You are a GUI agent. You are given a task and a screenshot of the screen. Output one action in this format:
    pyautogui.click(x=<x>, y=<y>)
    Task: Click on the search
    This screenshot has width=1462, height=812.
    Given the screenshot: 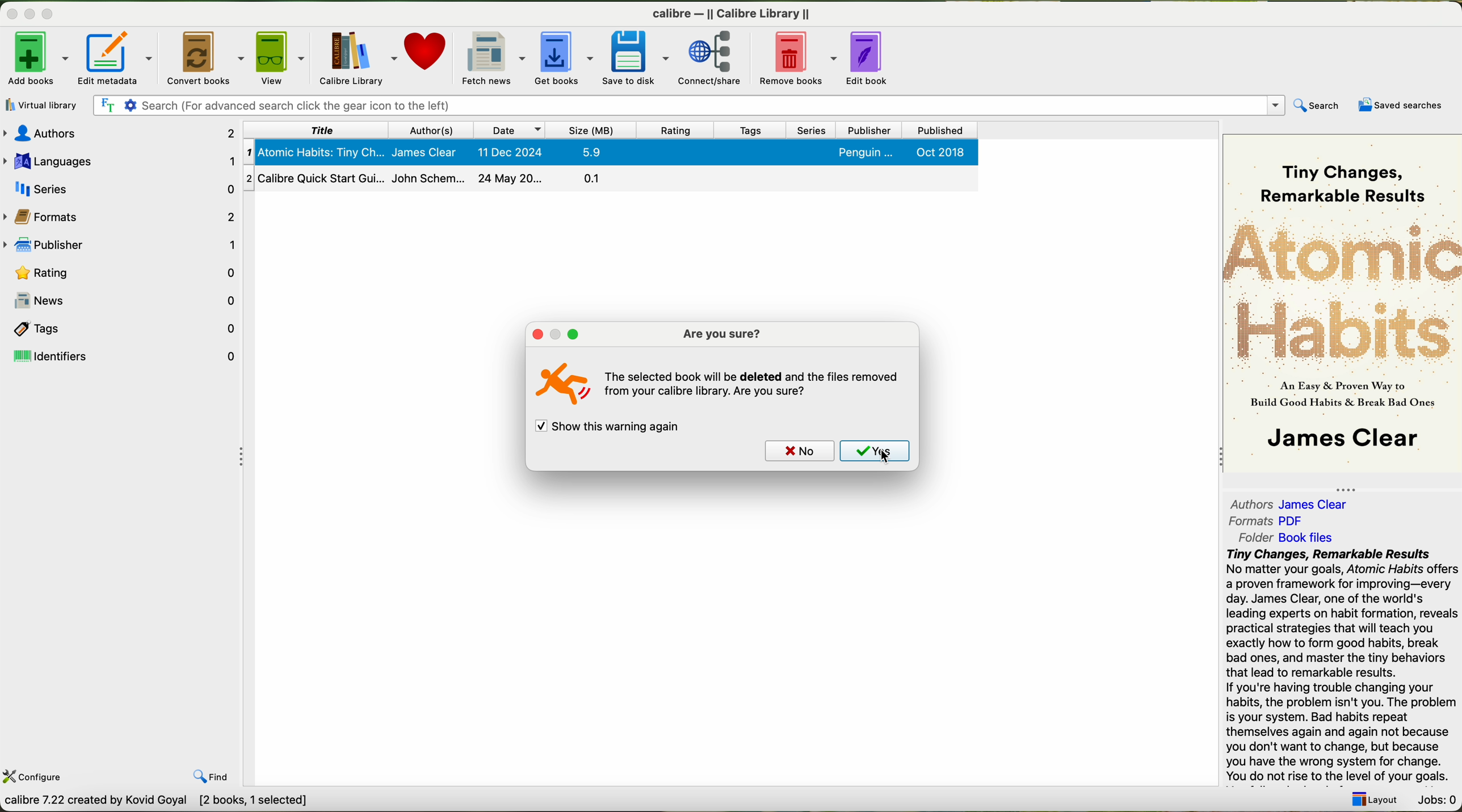 What is the action you would take?
    pyautogui.click(x=1316, y=105)
    